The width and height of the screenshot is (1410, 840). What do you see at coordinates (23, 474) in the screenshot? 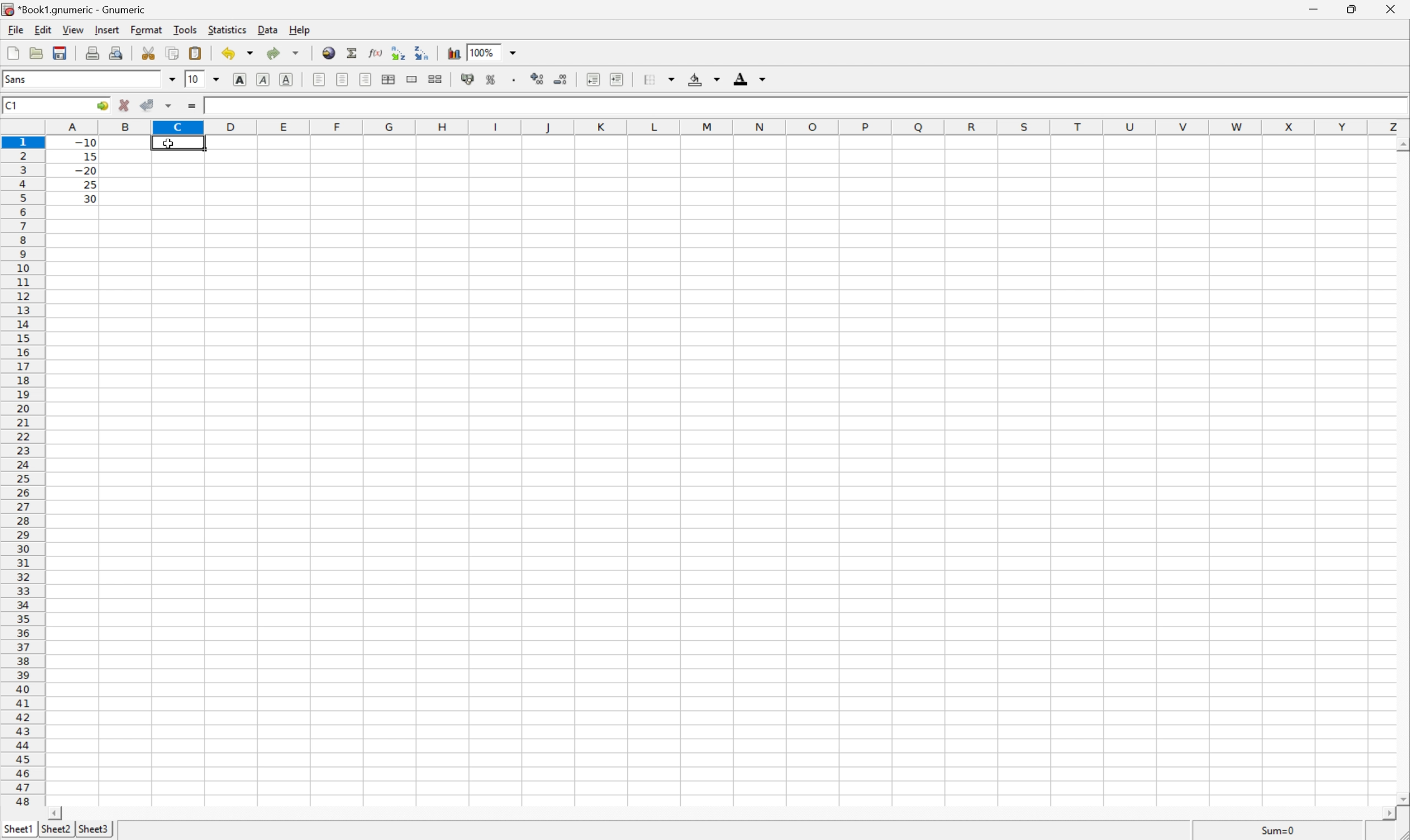
I see `Row numbers` at bounding box center [23, 474].